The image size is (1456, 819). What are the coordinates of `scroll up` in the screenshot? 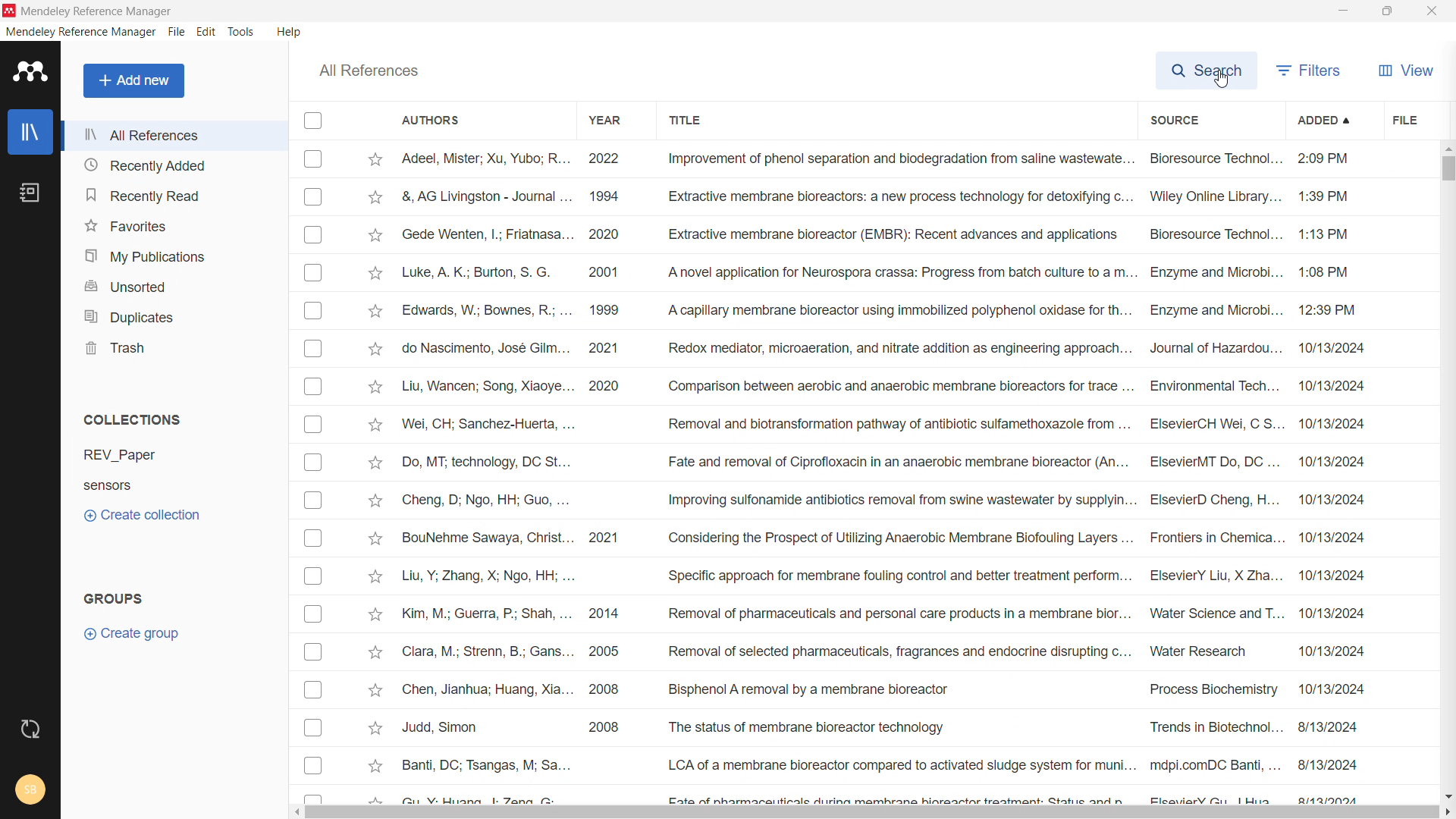 It's located at (1446, 148).